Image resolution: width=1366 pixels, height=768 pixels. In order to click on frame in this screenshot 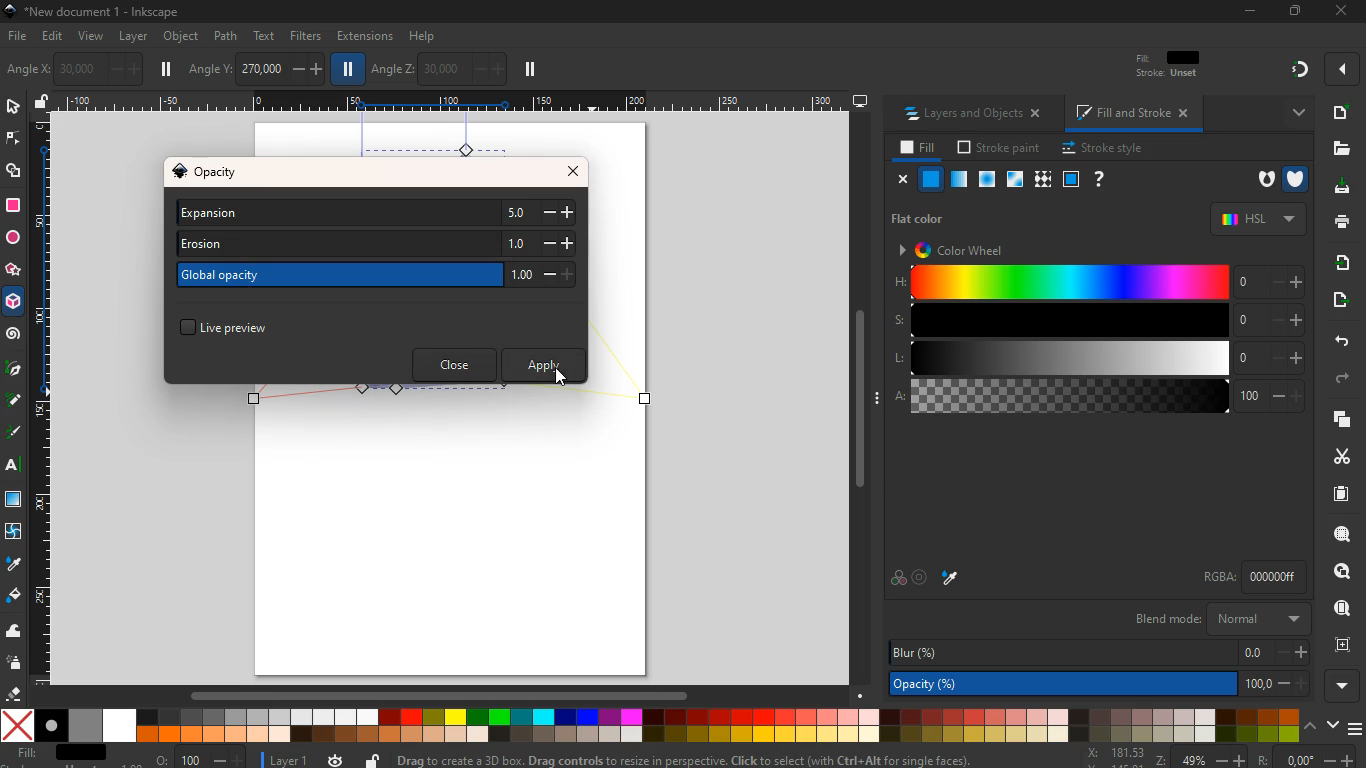, I will do `click(1071, 179)`.